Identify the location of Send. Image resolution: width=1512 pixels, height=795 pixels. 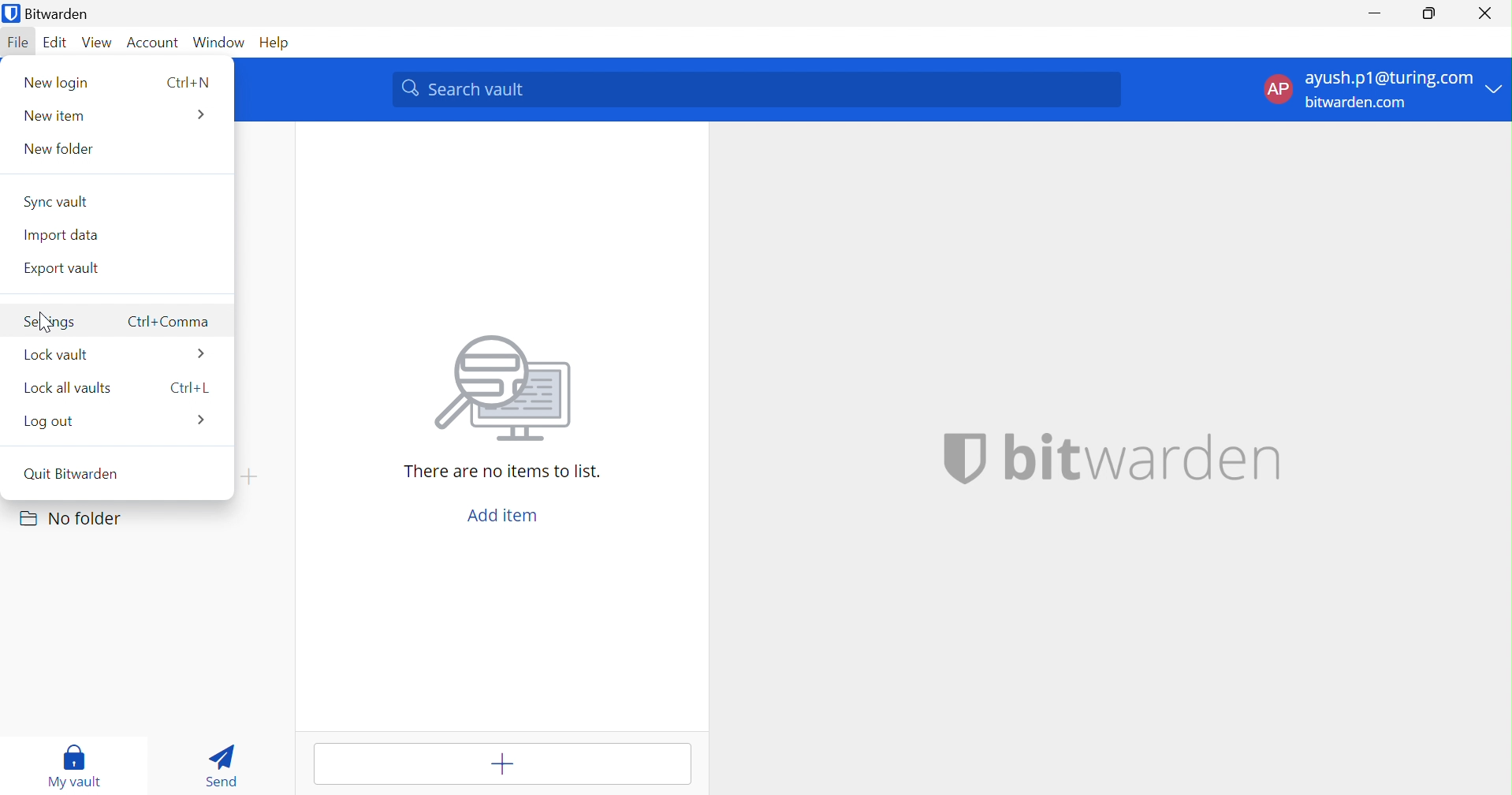
(224, 764).